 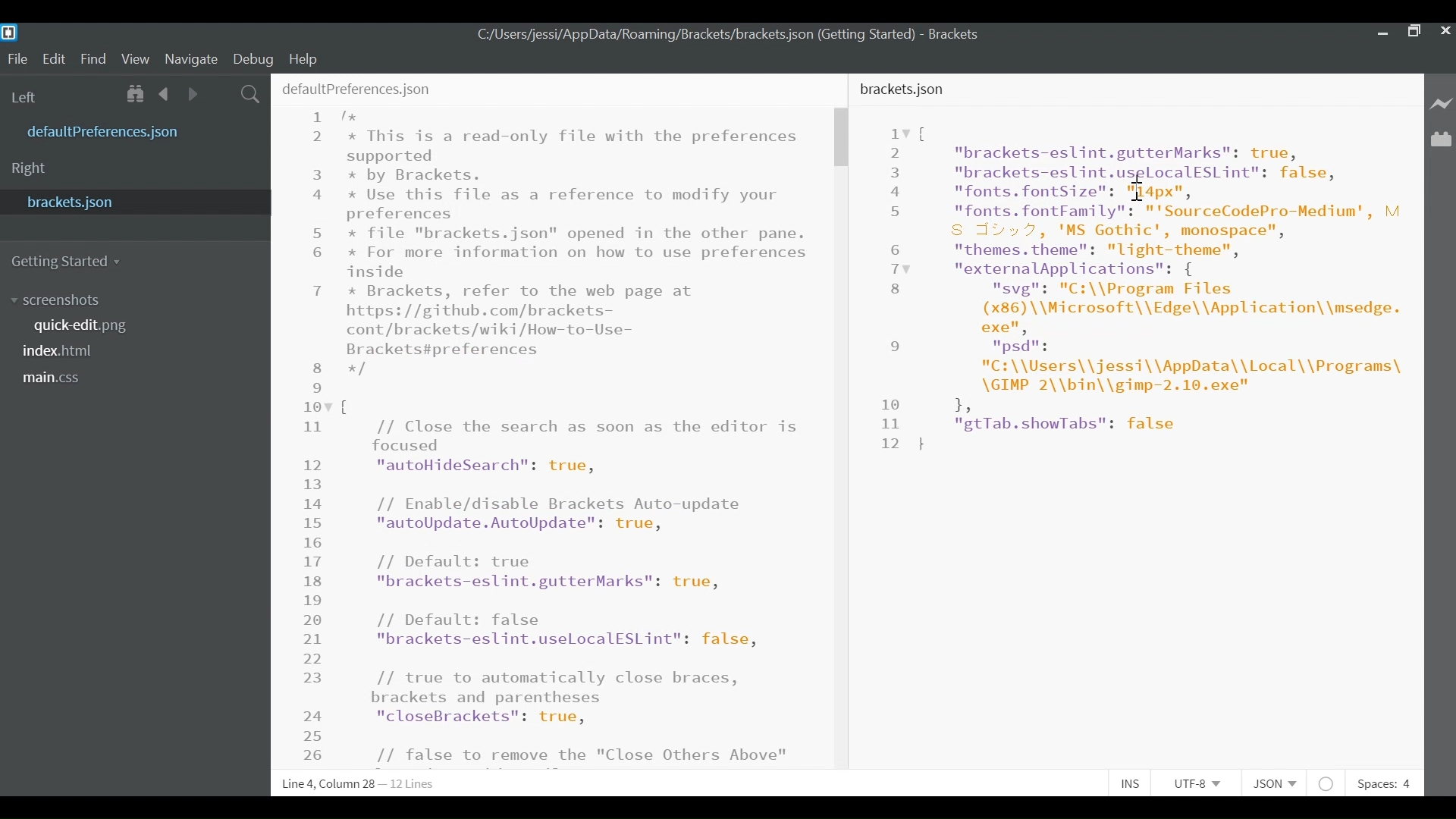 What do you see at coordinates (27, 98) in the screenshot?
I see `Left` at bounding box center [27, 98].